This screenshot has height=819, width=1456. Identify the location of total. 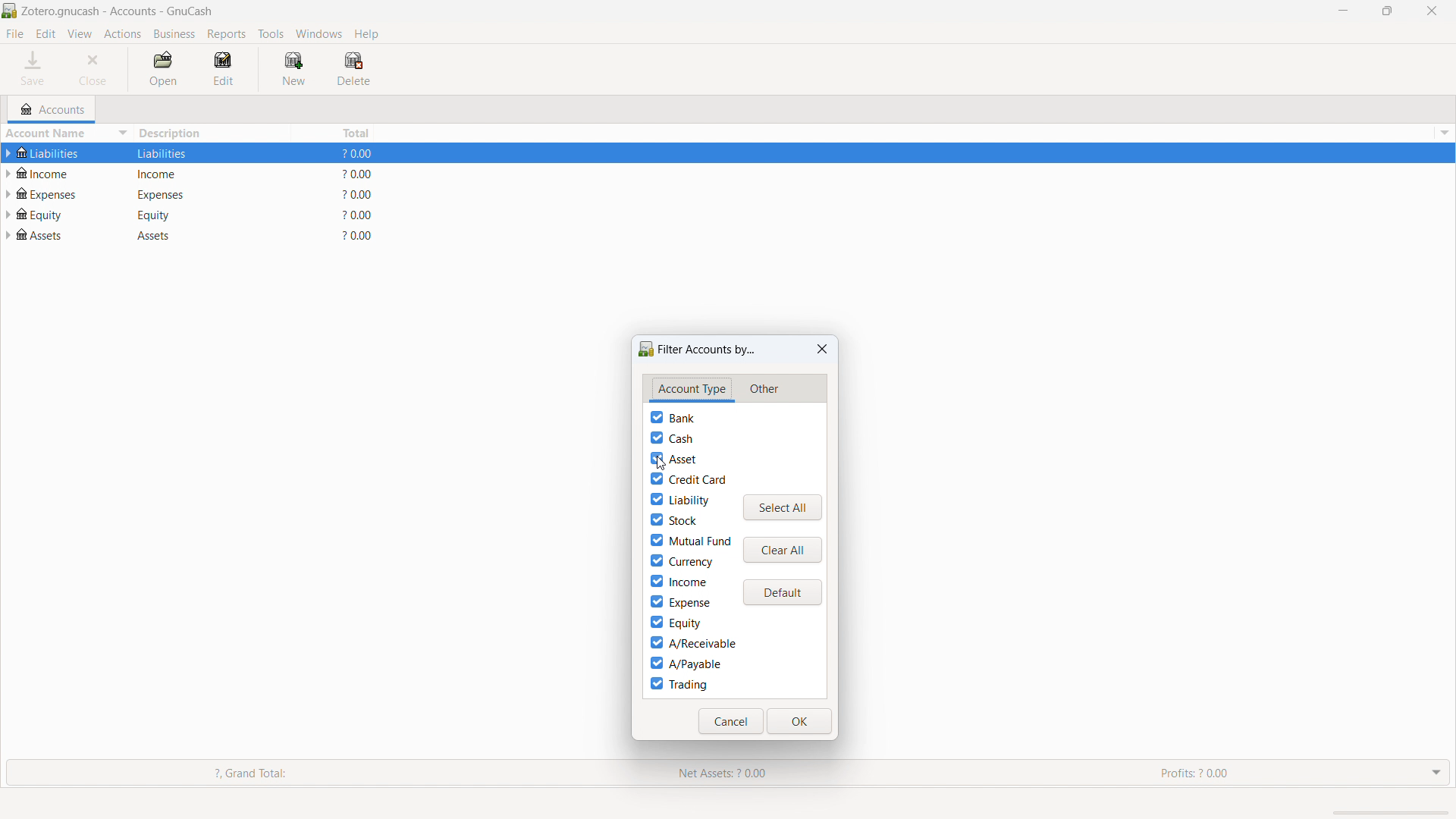
(335, 132).